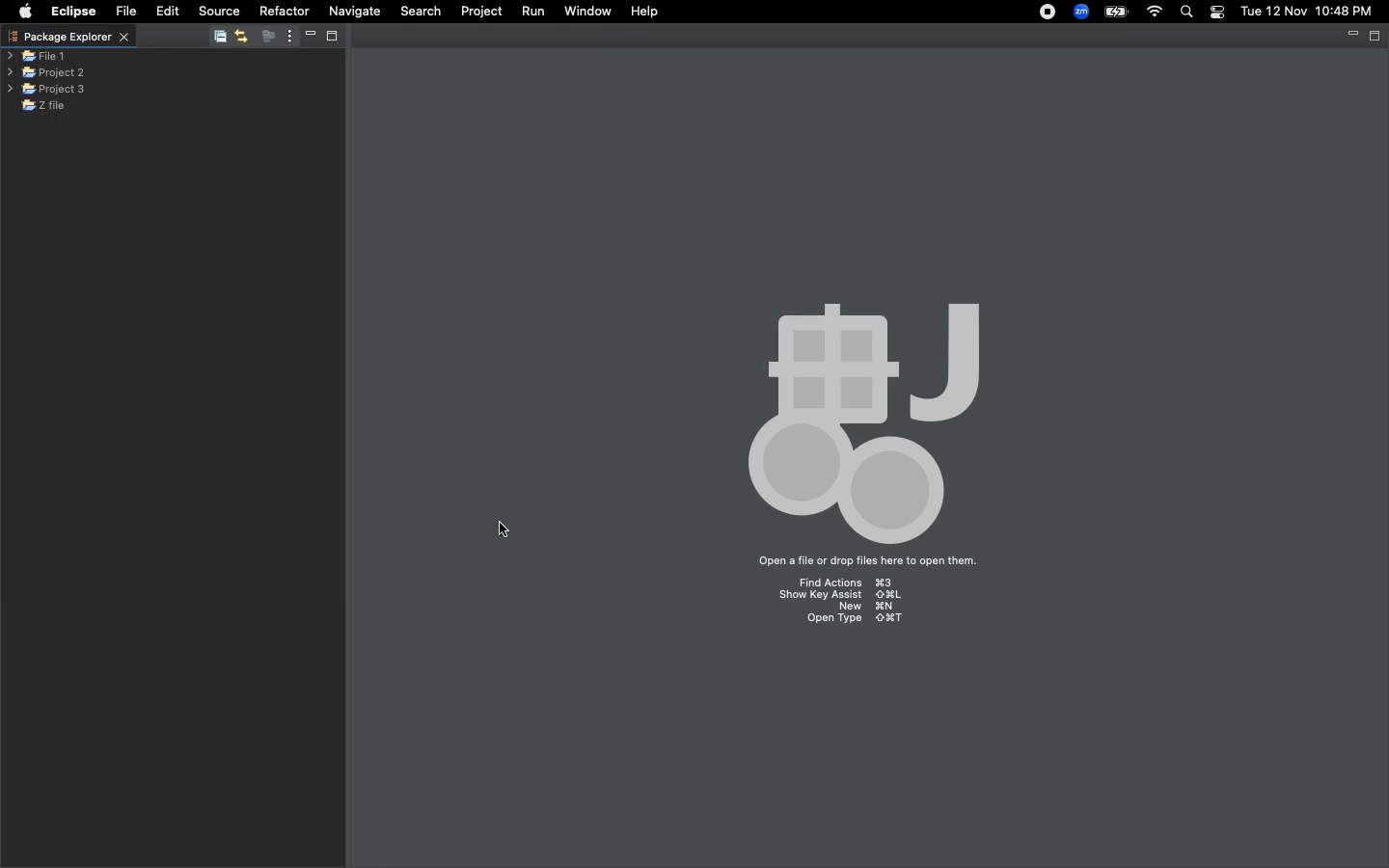 The width and height of the screenshot is (1389, 868). Describe the element at coordinates (266, 36) in the screenshot. I see `focus on active task ` at that location.